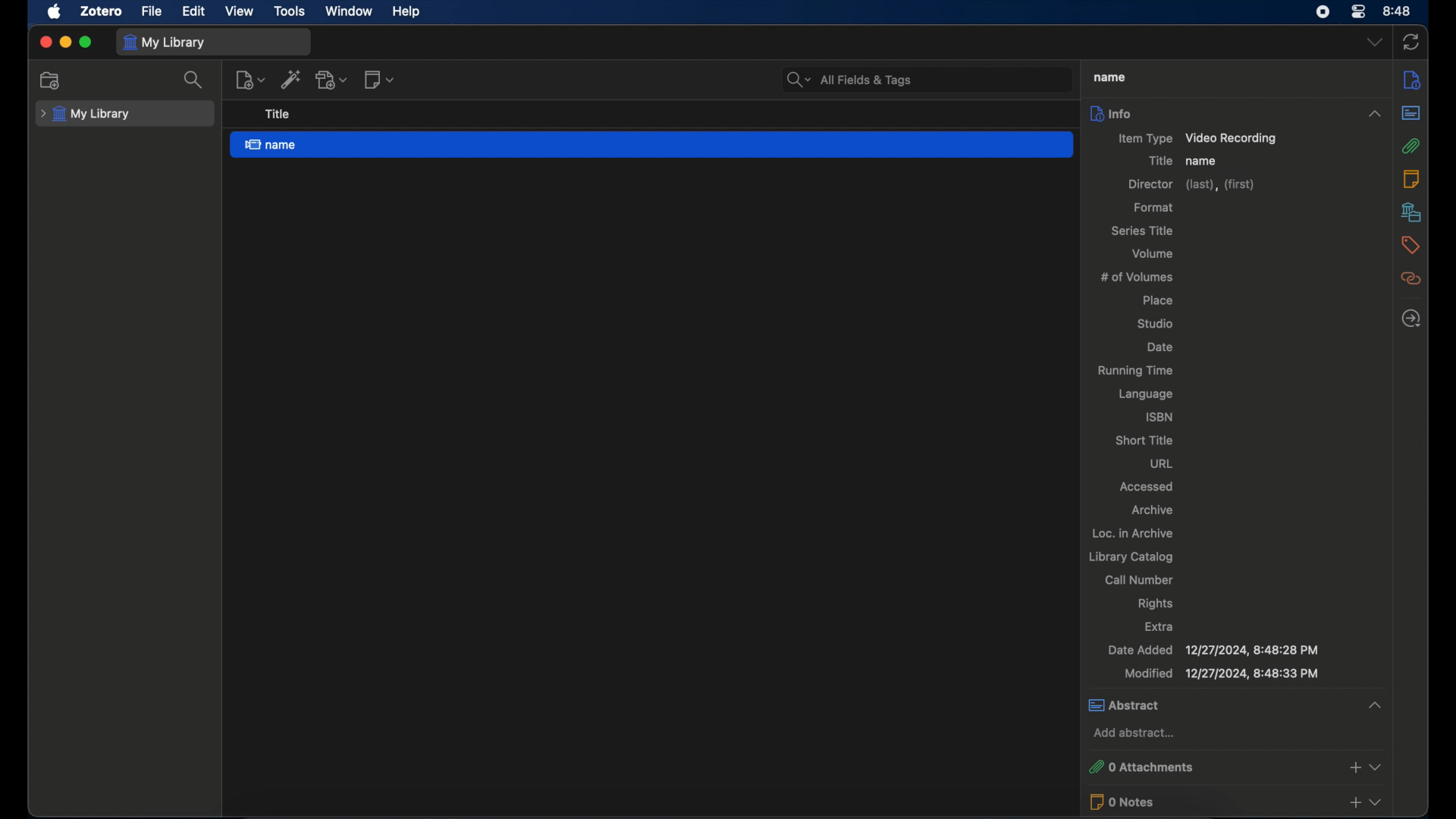 The height and width of the screenshot is (819, 1456). I want to click on abstract, so click(1235, 706).